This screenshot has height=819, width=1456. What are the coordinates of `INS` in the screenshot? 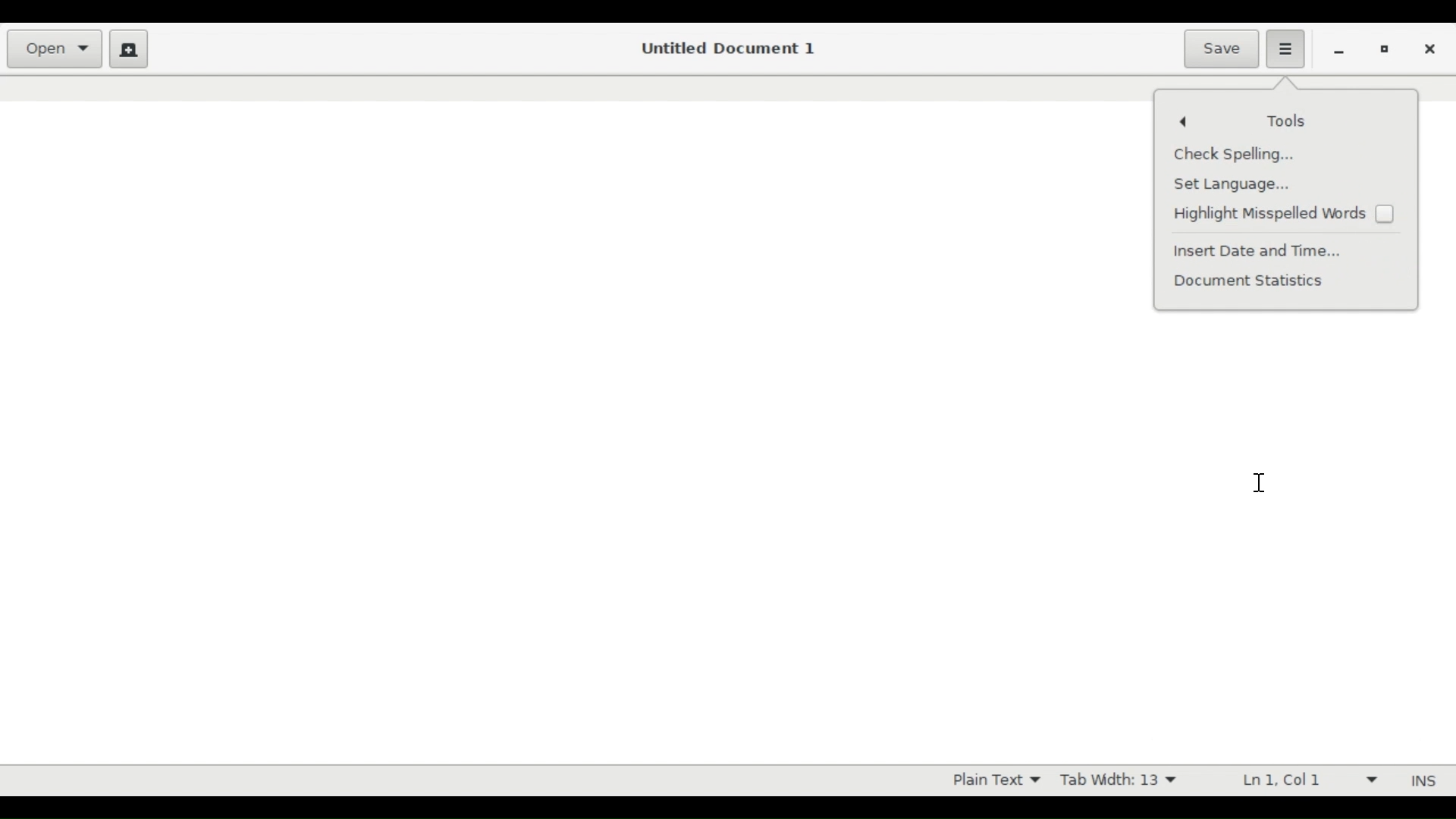 It's located at (1420, 780).